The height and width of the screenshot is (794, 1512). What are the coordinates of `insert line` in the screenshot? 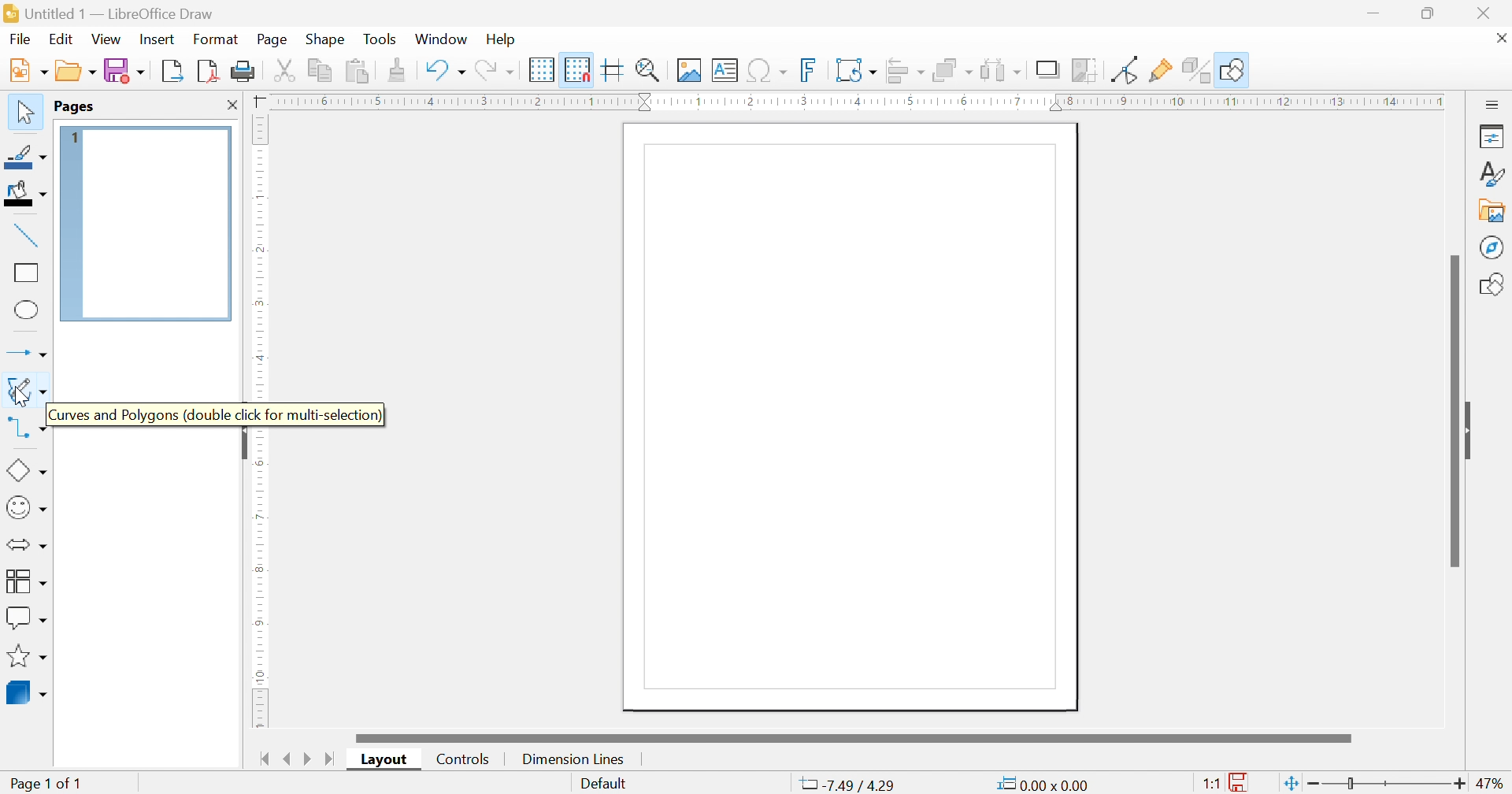 It's located at (27, 236).